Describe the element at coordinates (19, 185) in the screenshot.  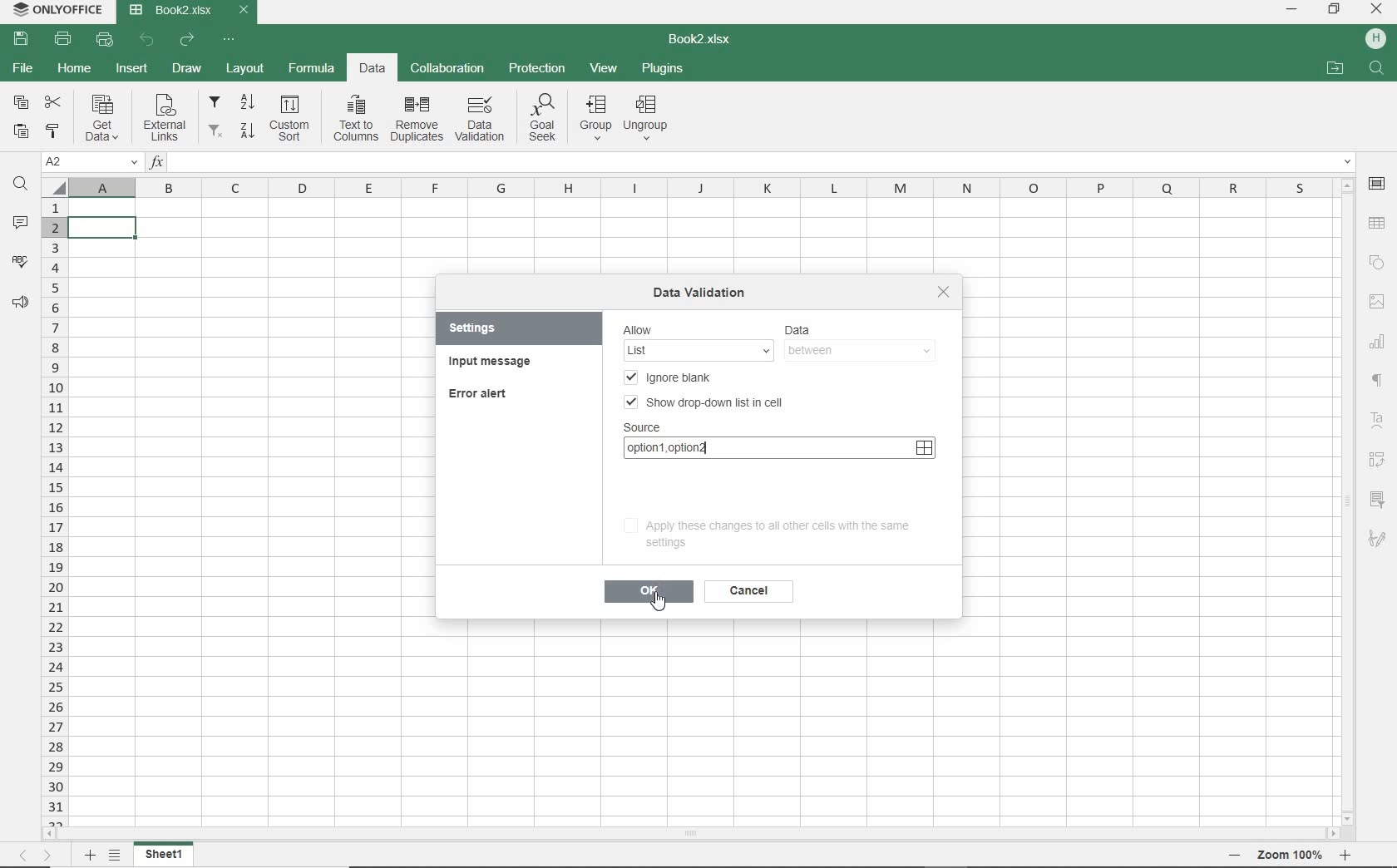
I see `FIND` at that location.